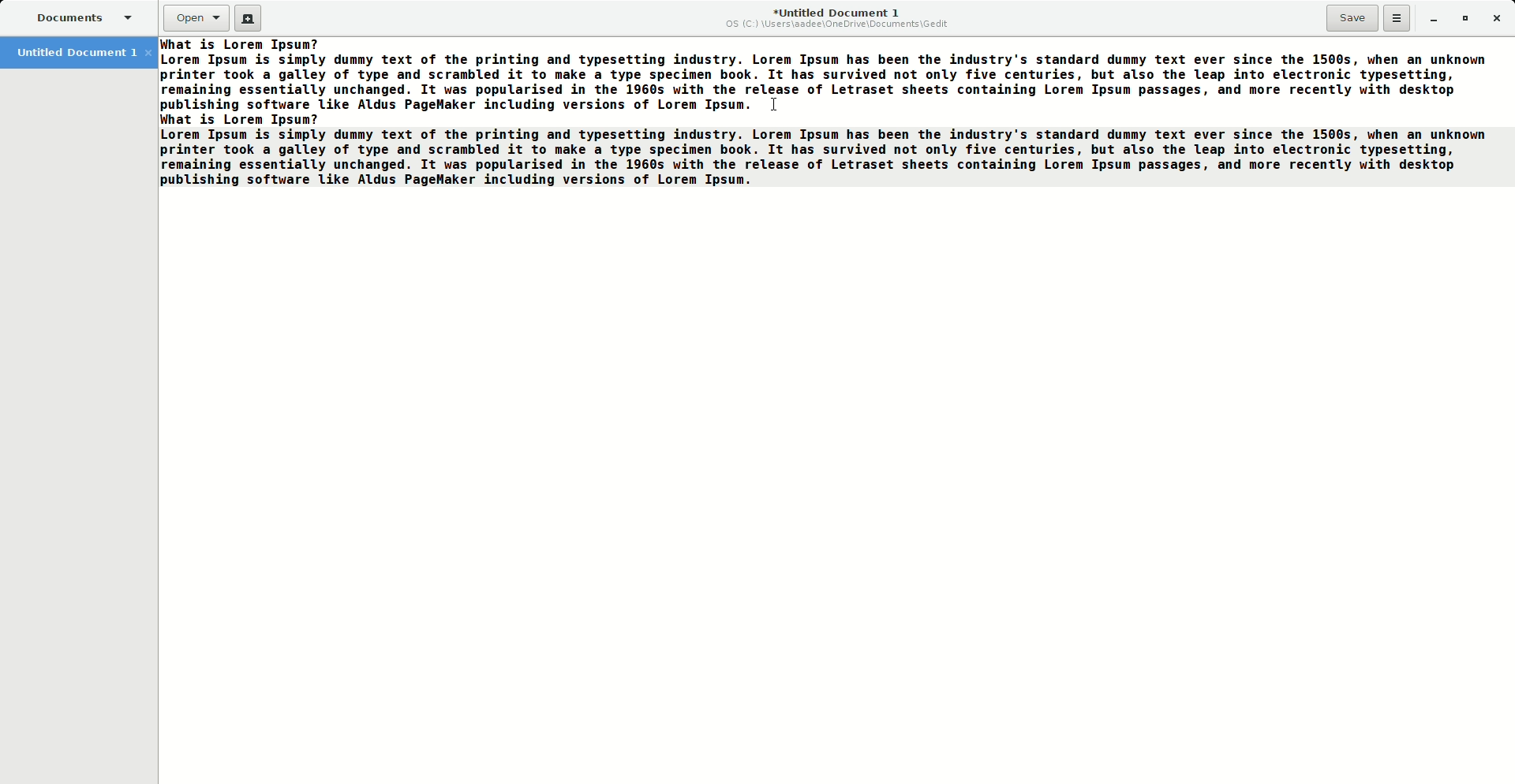  What do you see at coordinates (1352, 18) in the screenshot?
I see `Save` at bounding box center [1352, 18].